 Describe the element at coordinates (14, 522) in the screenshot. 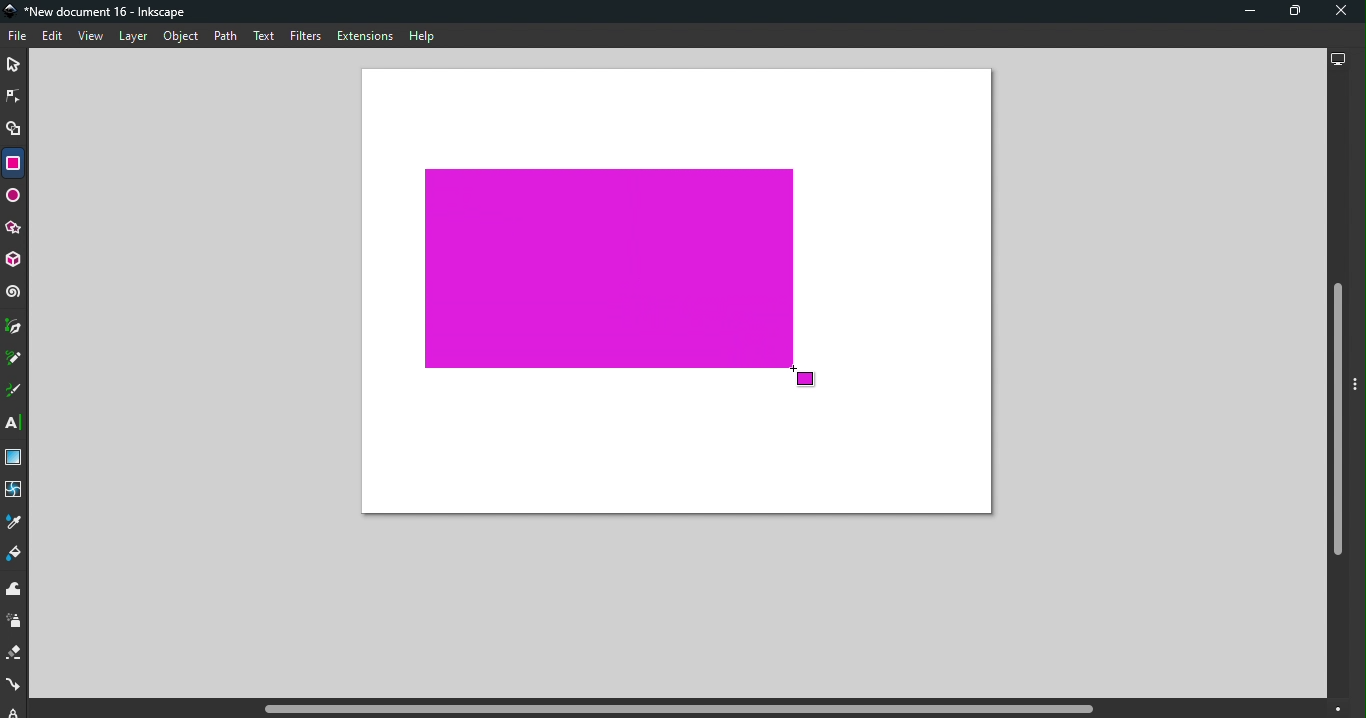

I see `Dropper tool` at that location.